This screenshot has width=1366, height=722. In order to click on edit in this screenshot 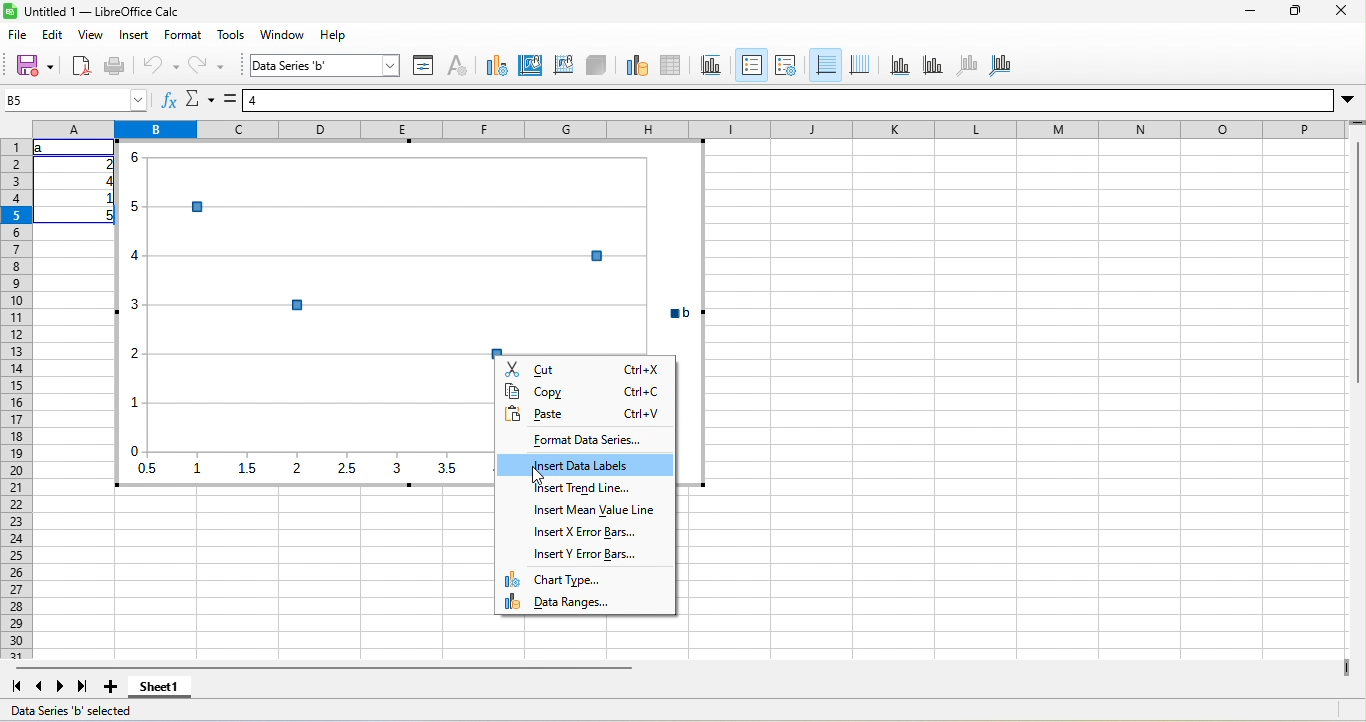, I will do `click(53, 35)`.